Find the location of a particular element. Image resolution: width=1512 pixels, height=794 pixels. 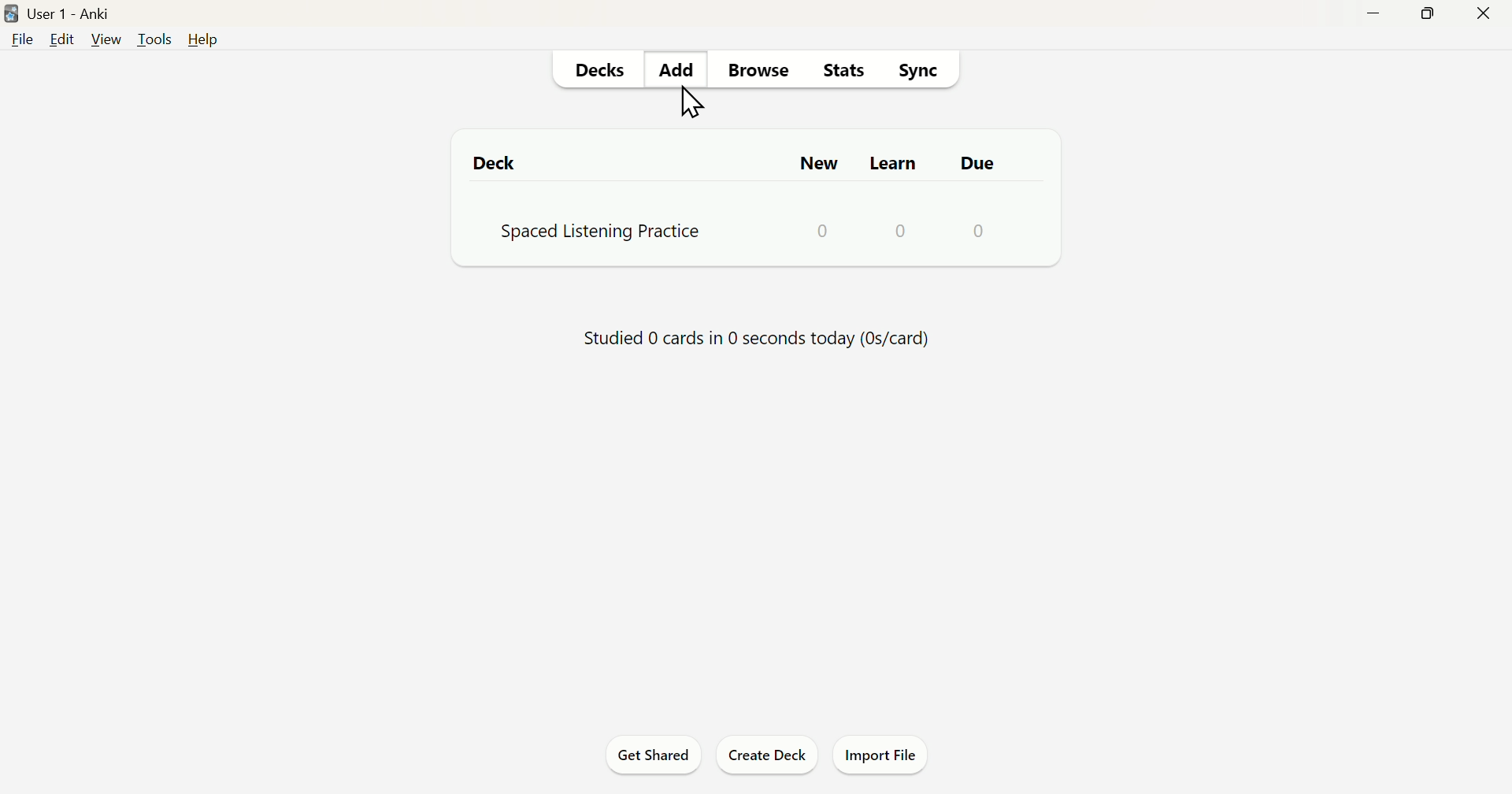

Help is located at coordinates (203, 36).